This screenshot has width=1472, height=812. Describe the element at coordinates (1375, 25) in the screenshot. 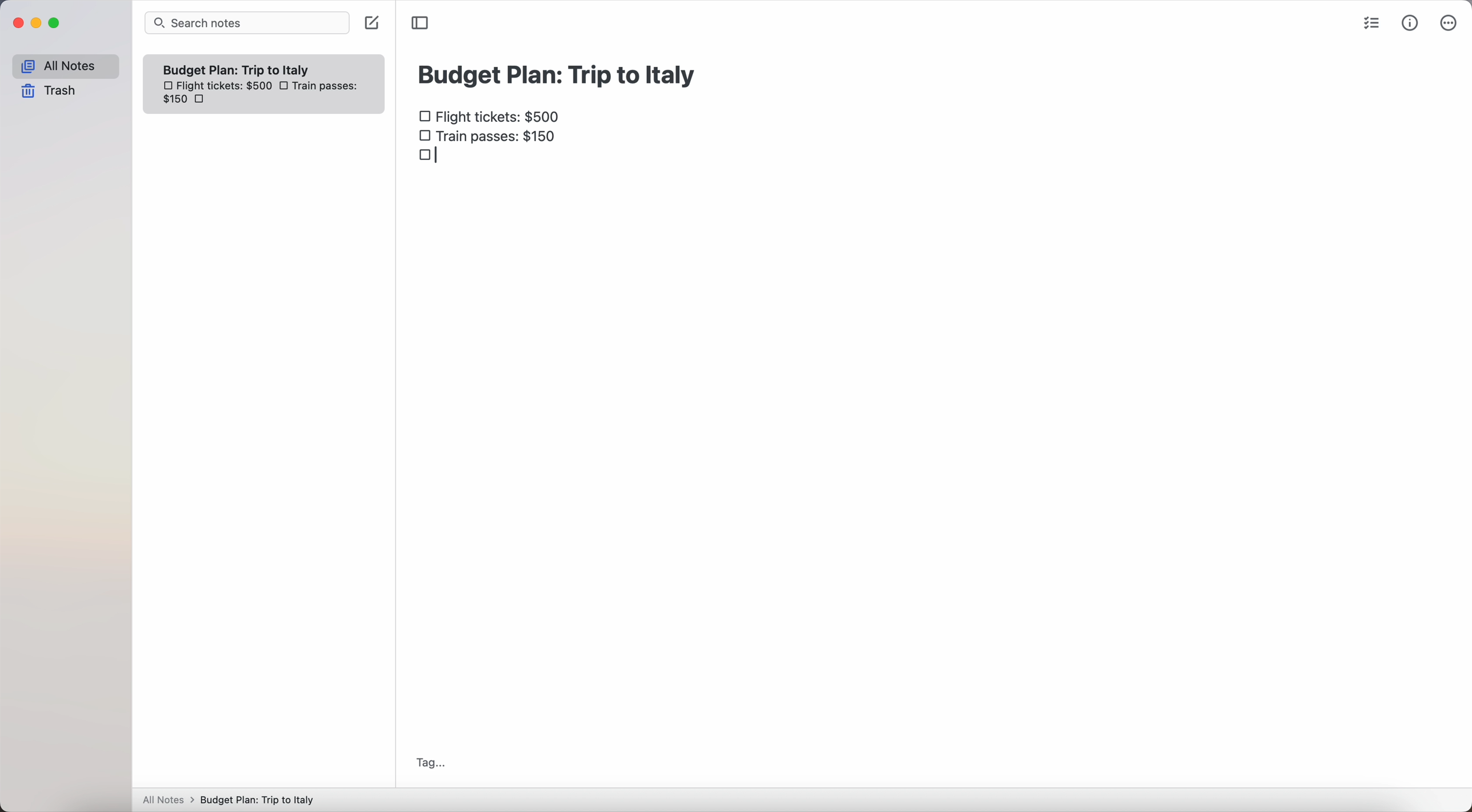

I see `check list` at that location.